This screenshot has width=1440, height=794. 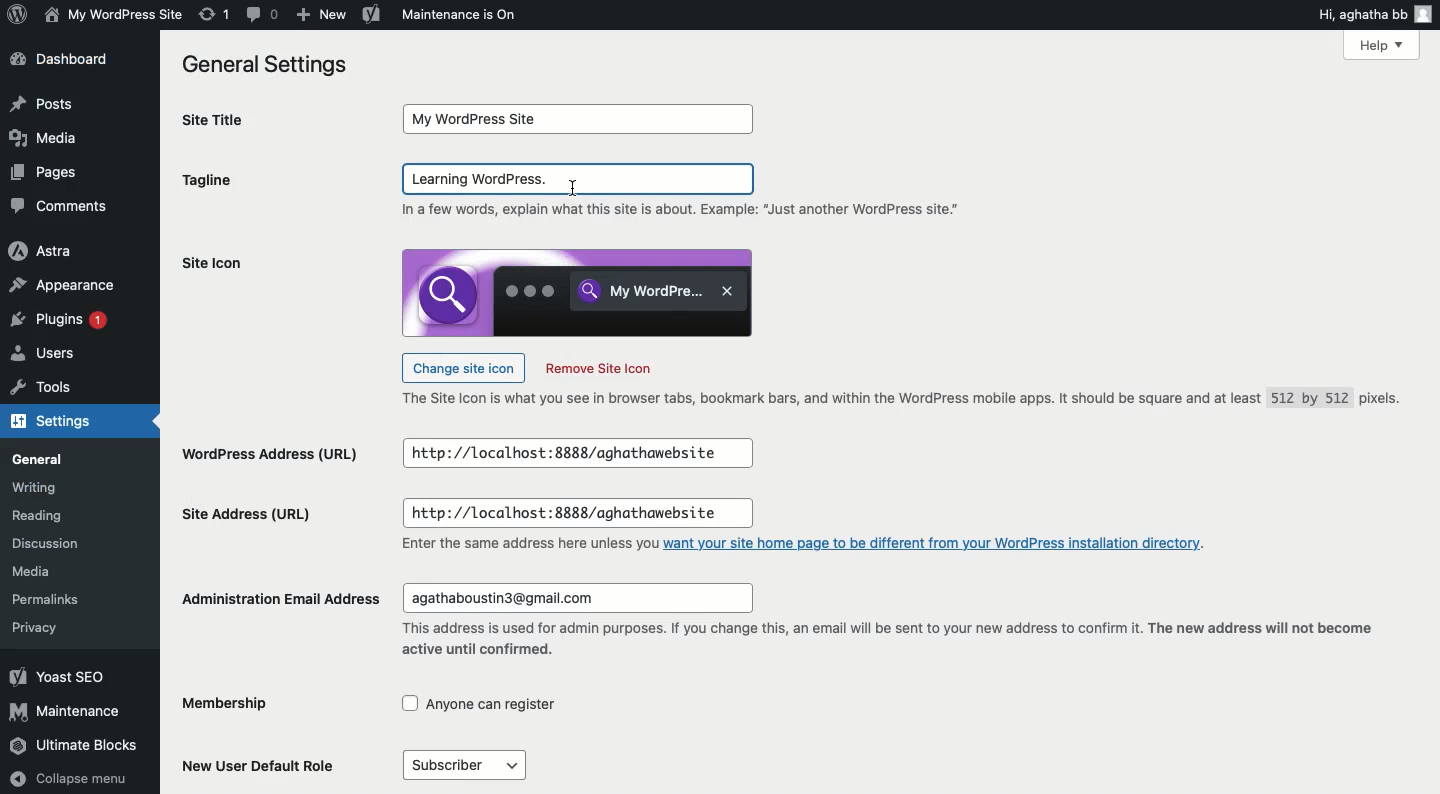 I want to click on link, so click(x=936, y=542).